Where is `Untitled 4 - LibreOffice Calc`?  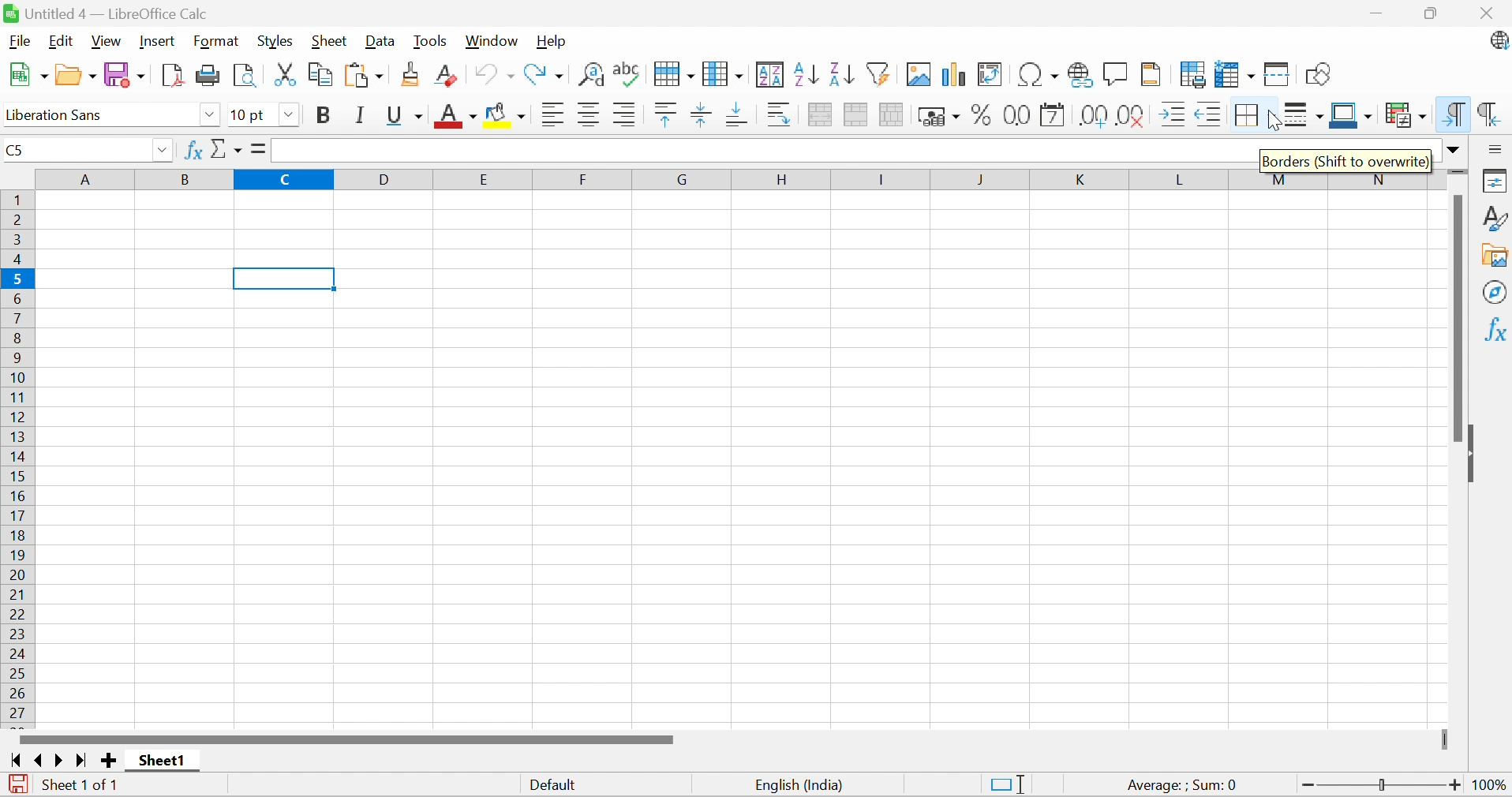
Untitled 4 - LibreOffice Calc is located at coordinates (105, 12).